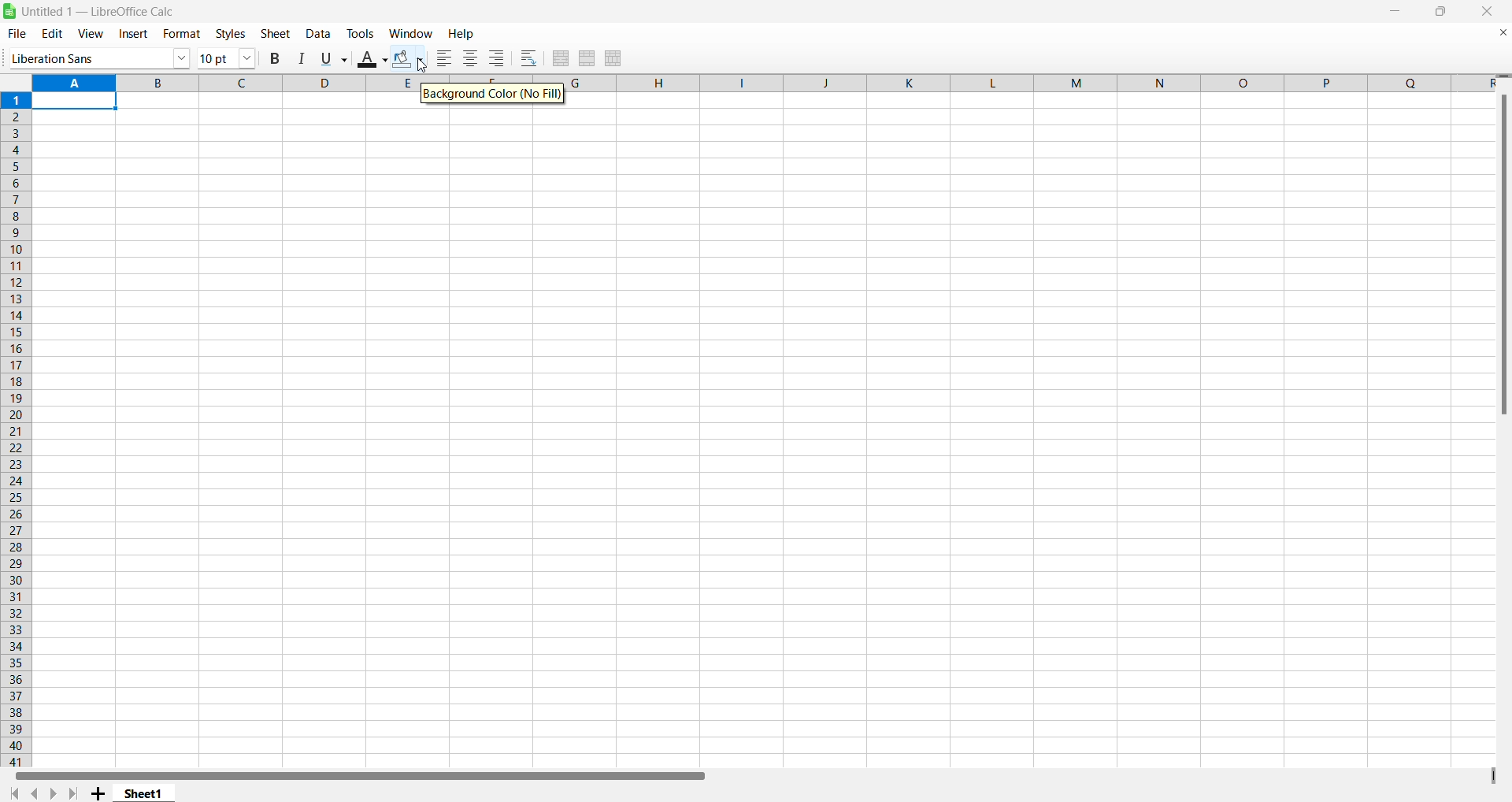  Describe the element at coordinates (39, 792) in the screenshot. I see `previous` at that location.